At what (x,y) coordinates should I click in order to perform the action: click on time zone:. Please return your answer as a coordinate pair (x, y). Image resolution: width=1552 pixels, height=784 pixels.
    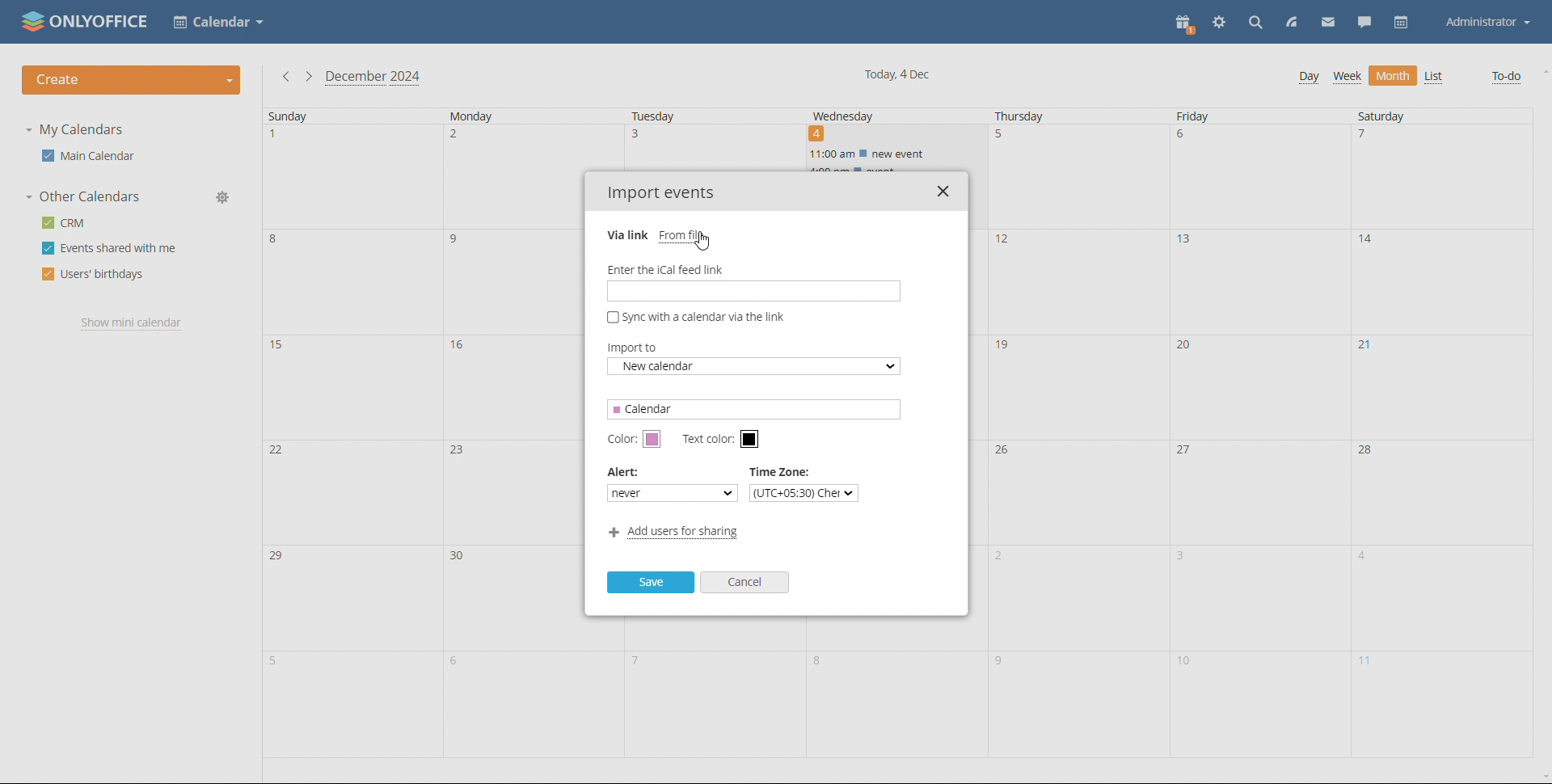
    Looking at the image, I should click on (786, 471).